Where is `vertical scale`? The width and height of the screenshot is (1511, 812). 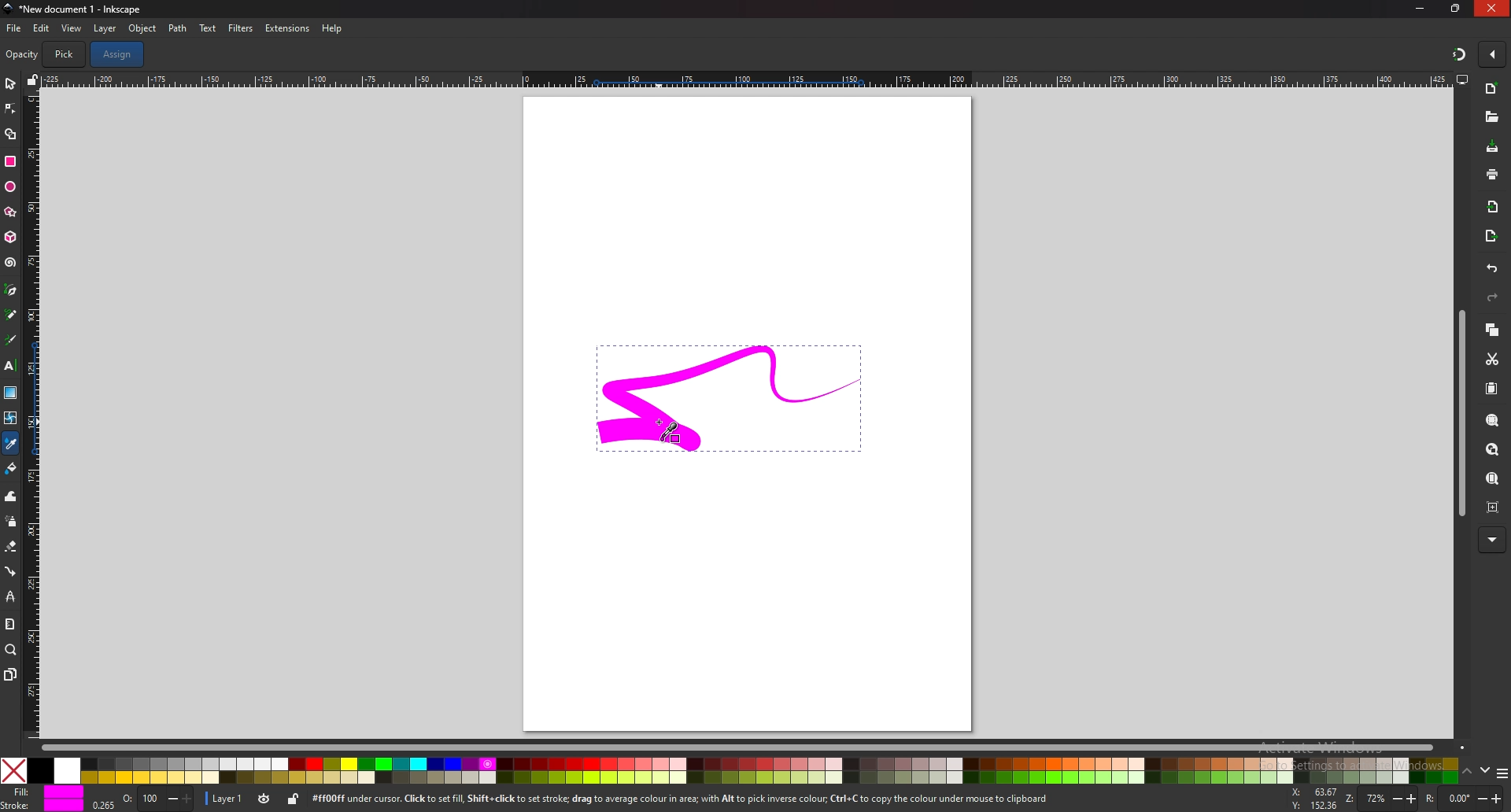 vertical scale is located at coordinates (28, 412).